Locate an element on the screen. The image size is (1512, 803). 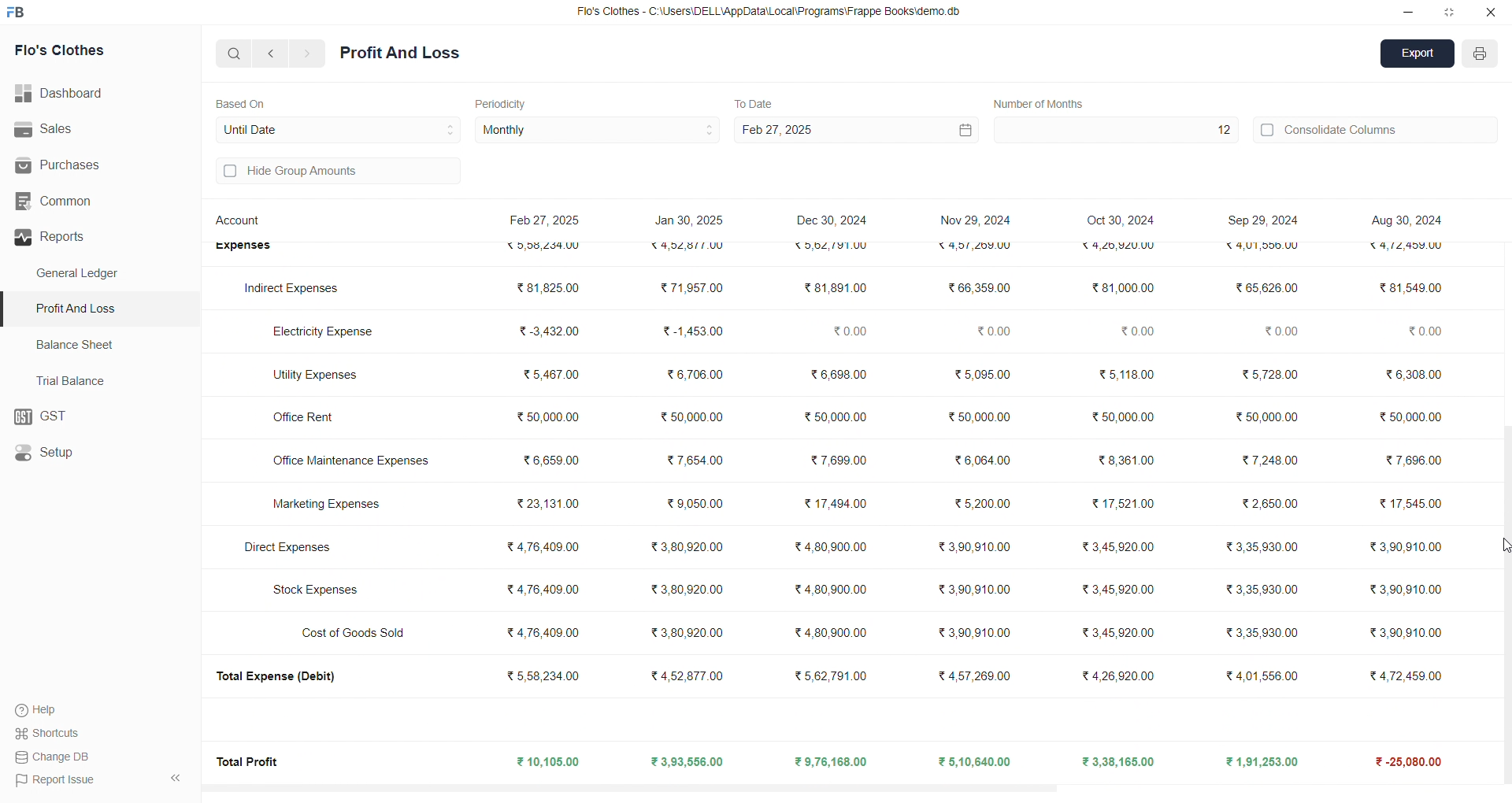
₹3,80,920.00 is located at coordinates (685, 547).